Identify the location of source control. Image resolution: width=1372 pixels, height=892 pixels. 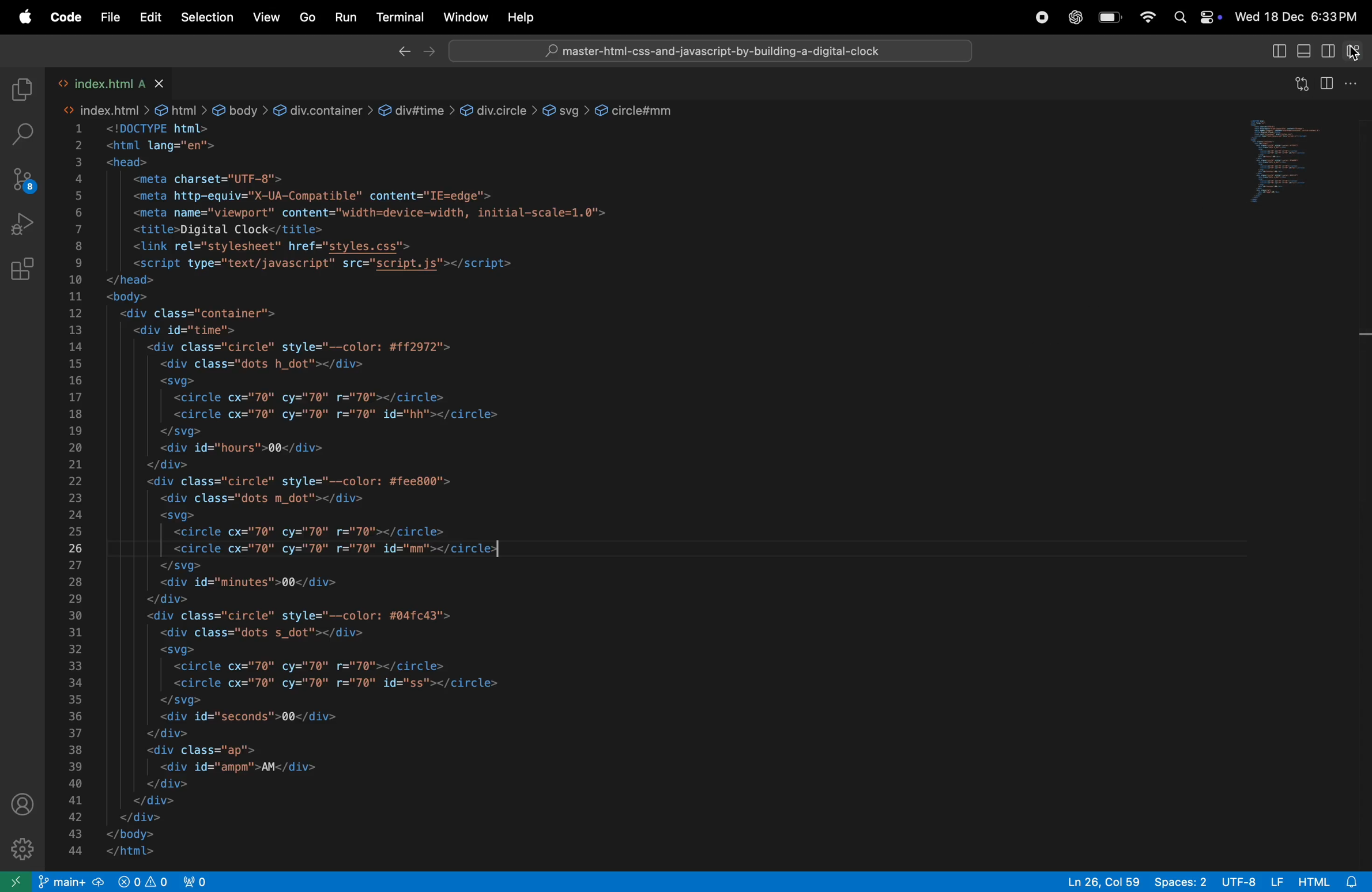
(25, 175).